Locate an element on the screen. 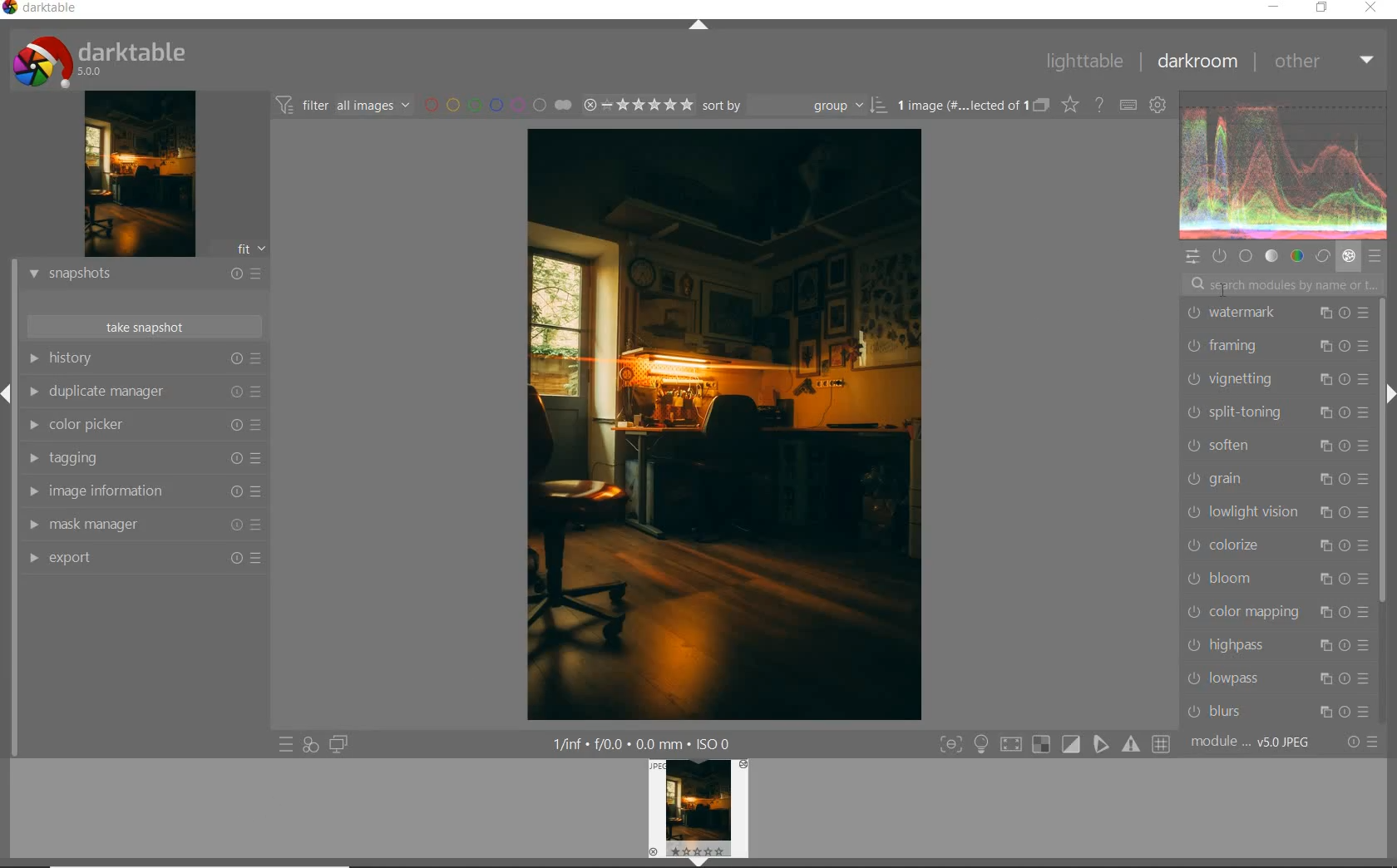 This screenshot has height=868, width=1397. cursor is located at coordinates (1222, 289).